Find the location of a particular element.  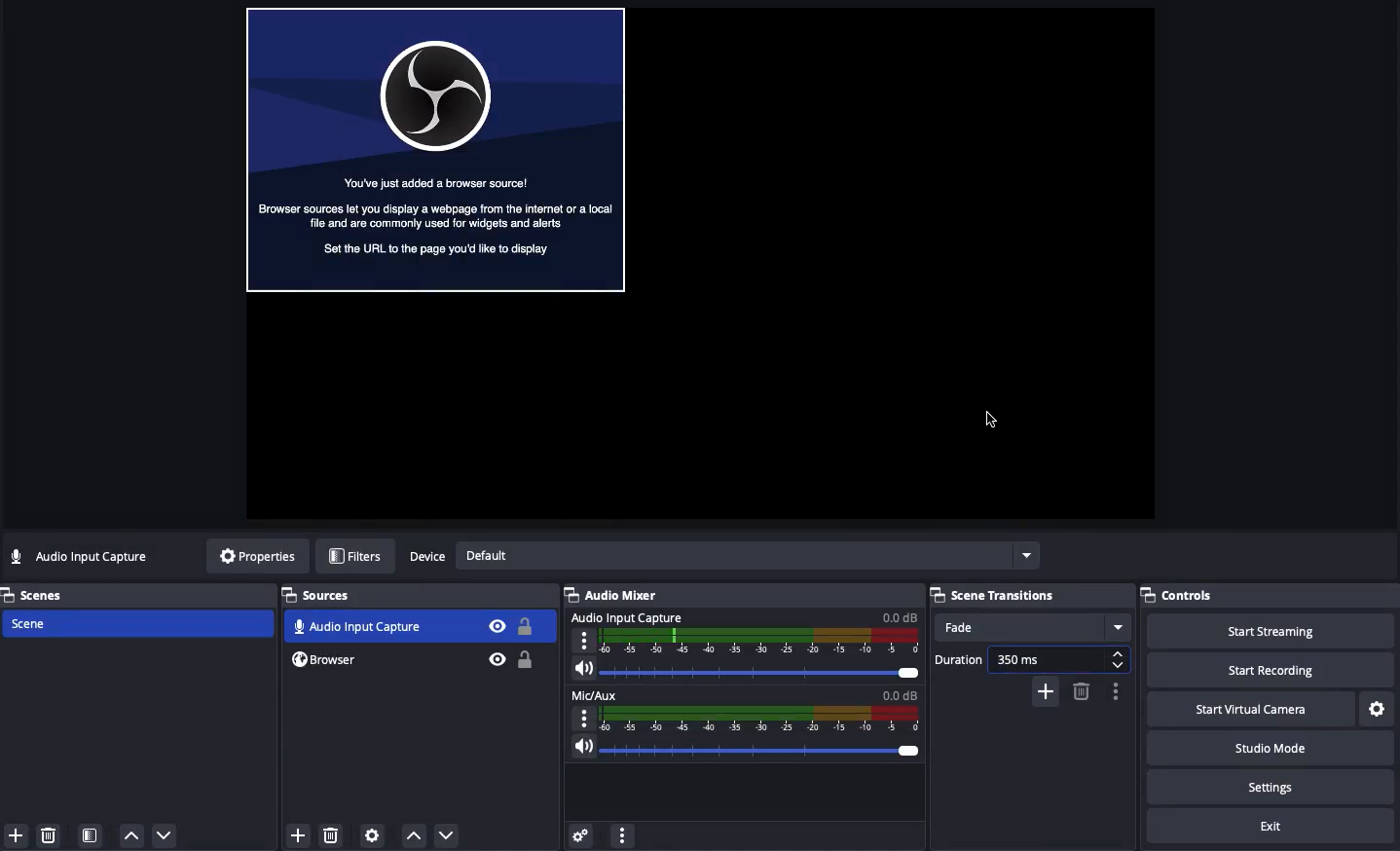

Audio input capture is located at coordinates (414, 626).